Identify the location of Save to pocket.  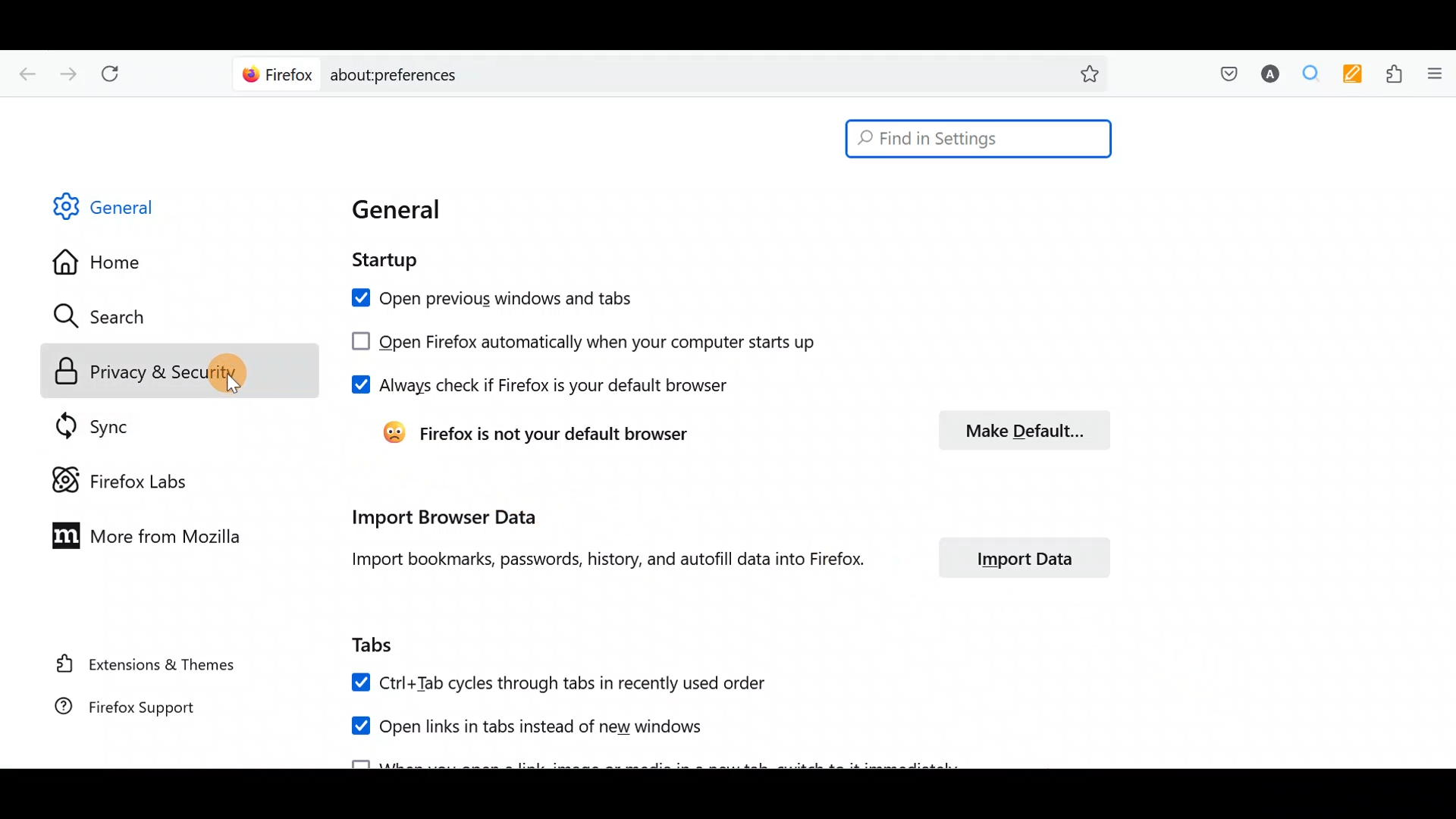
(1222, 73).